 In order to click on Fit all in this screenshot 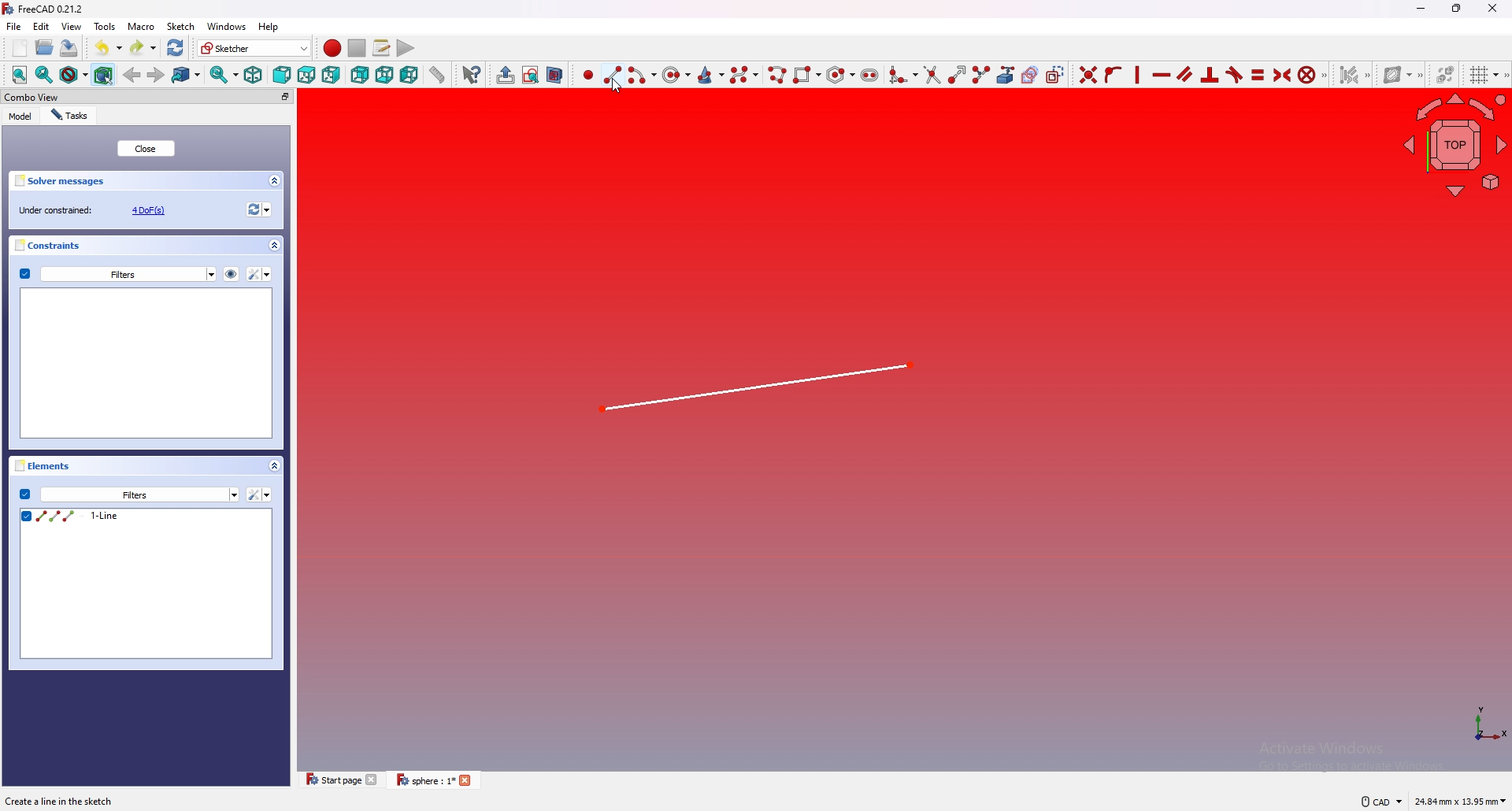, I will do `click(16, 75)`.